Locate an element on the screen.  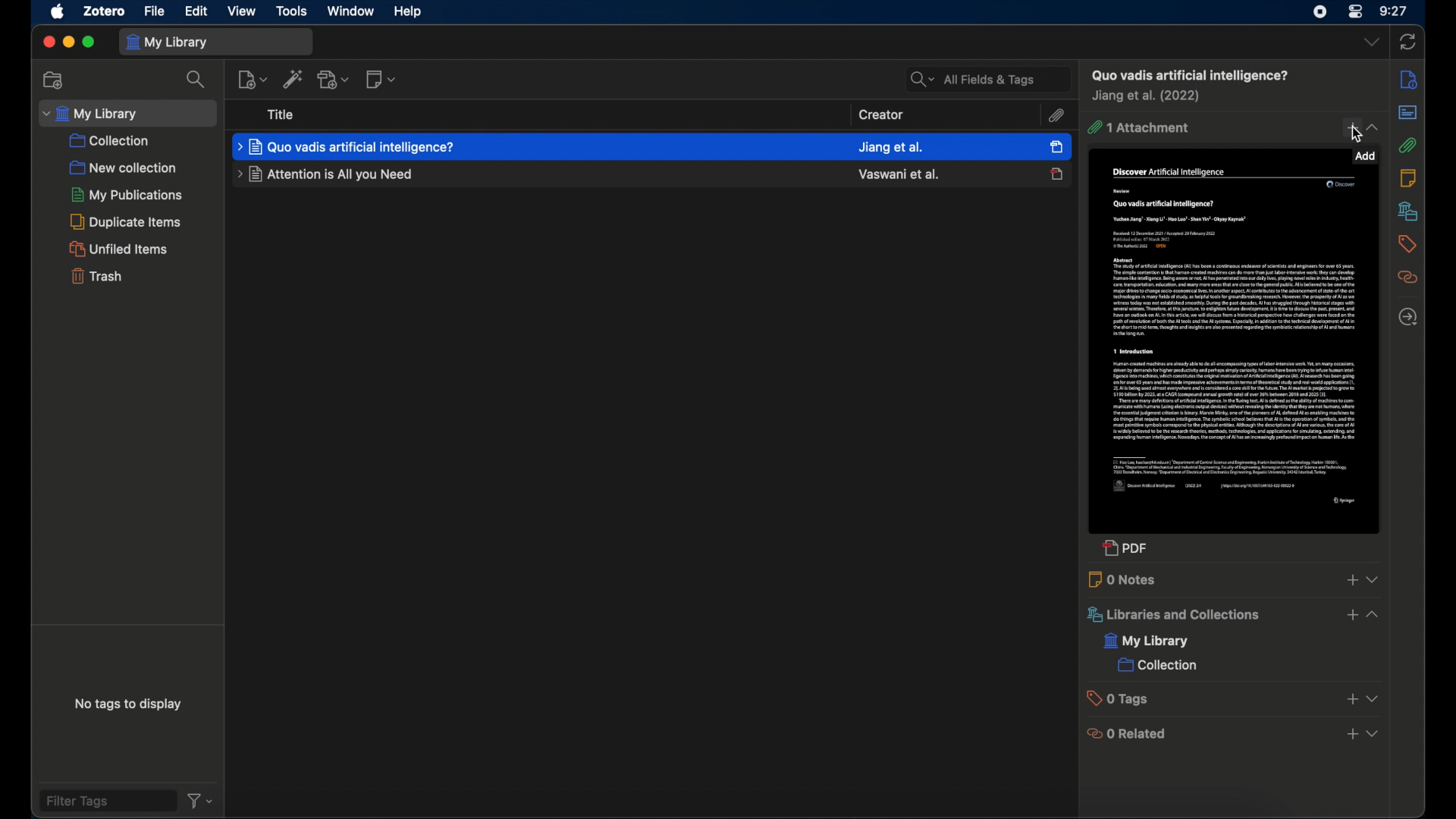
notes is located at coordinates (1408, 177).